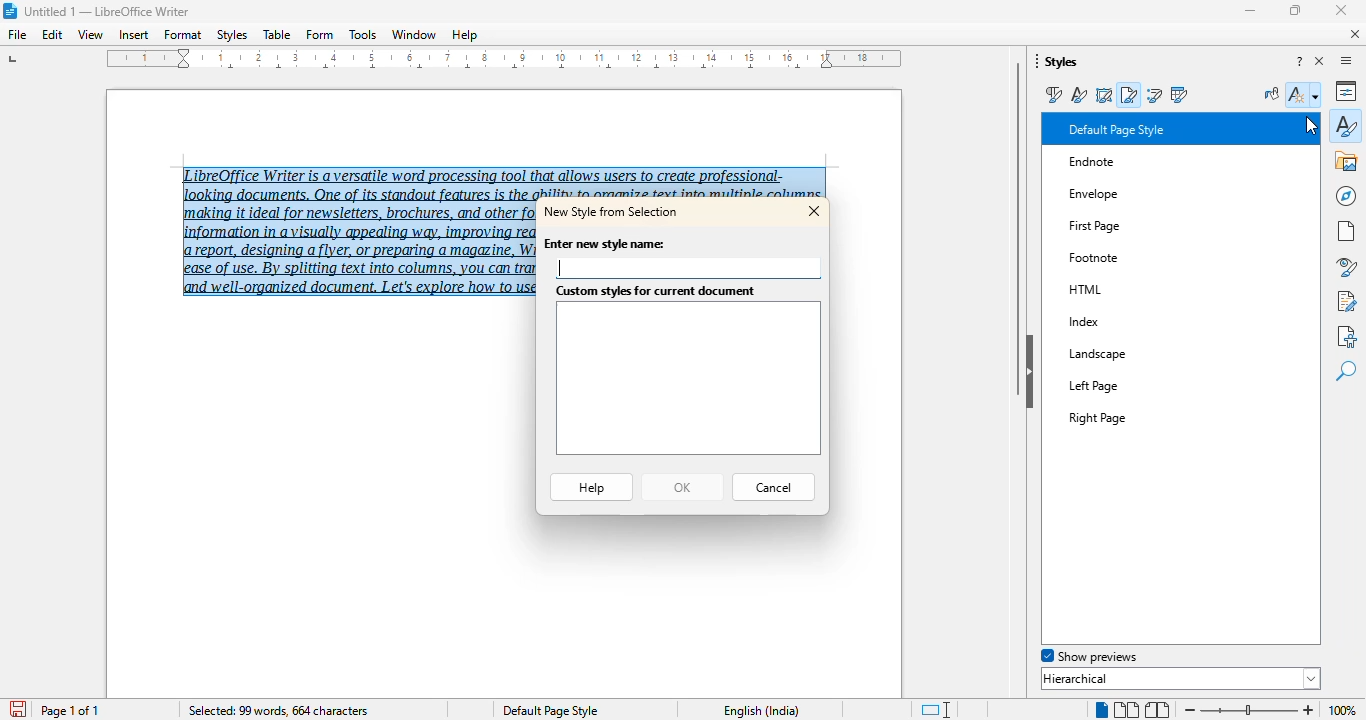 This screenshot has height=720, width=1366. I want to click on save document, so click(19, 708).